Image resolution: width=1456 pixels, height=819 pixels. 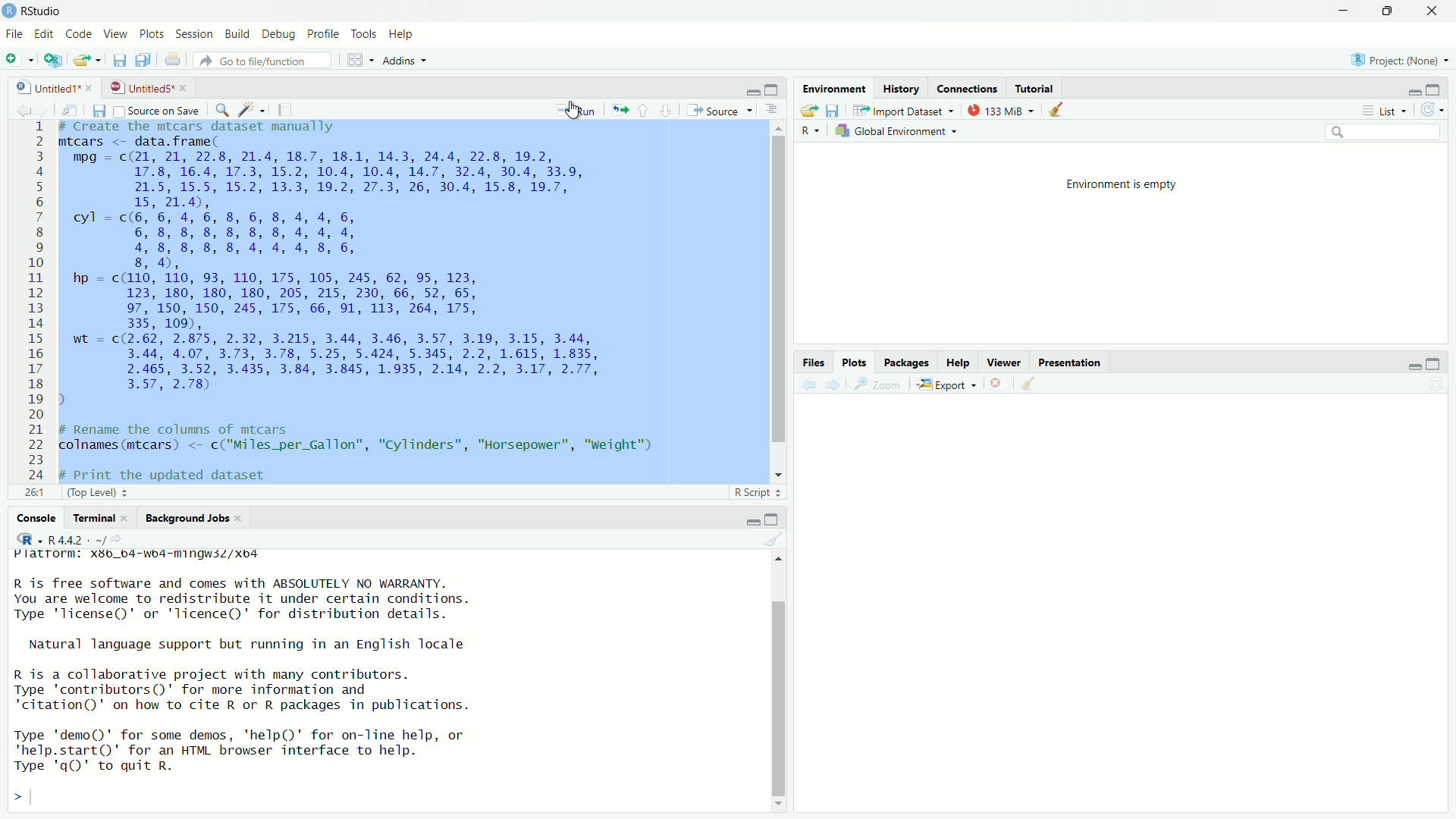 I want to click on Session, so click(x=194, y=33).